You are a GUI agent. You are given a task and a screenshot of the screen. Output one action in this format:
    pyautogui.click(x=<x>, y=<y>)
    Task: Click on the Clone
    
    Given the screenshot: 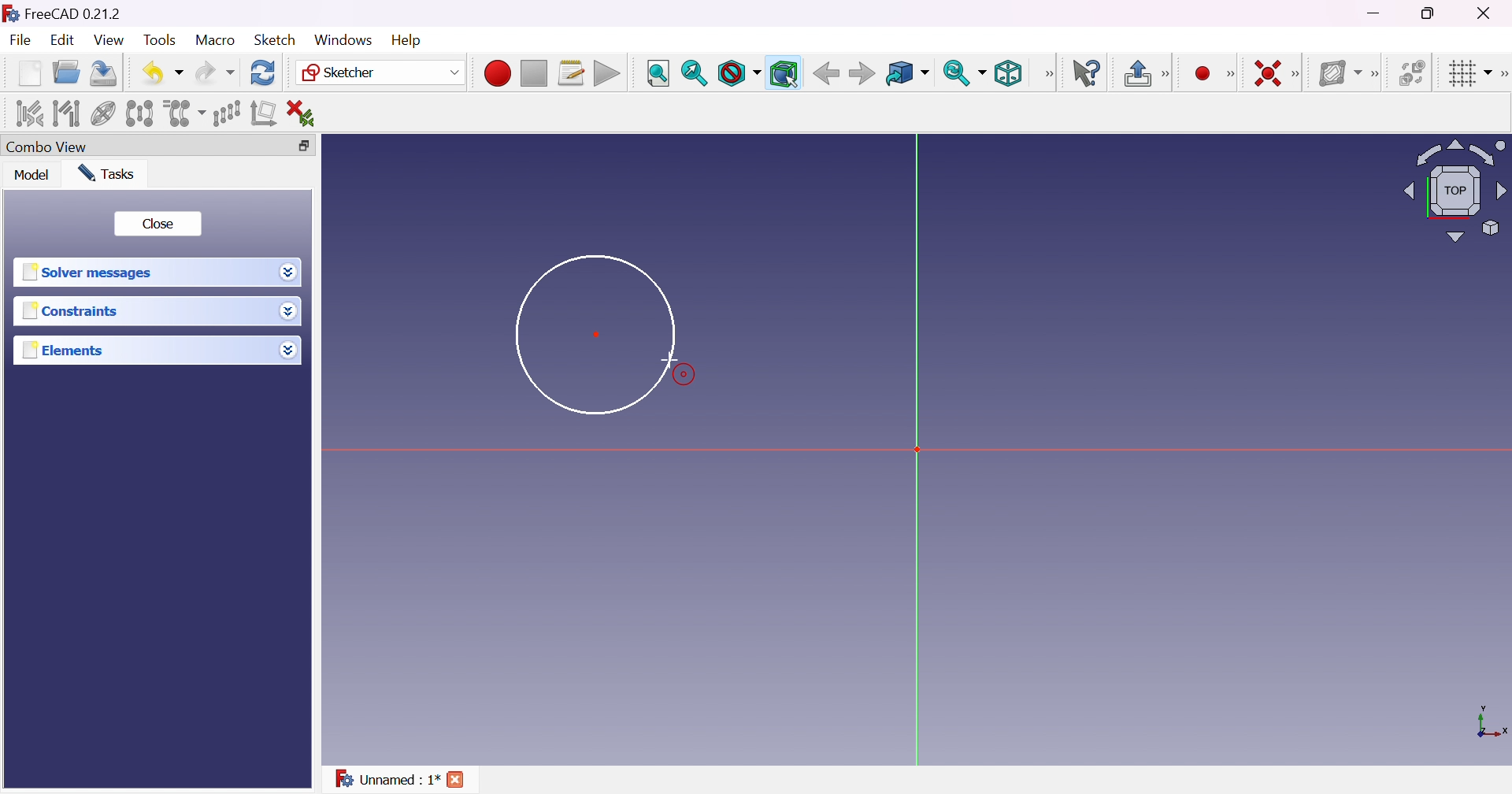 What is the action you would take?
    pyautogui.click(x=183, y=113)
    